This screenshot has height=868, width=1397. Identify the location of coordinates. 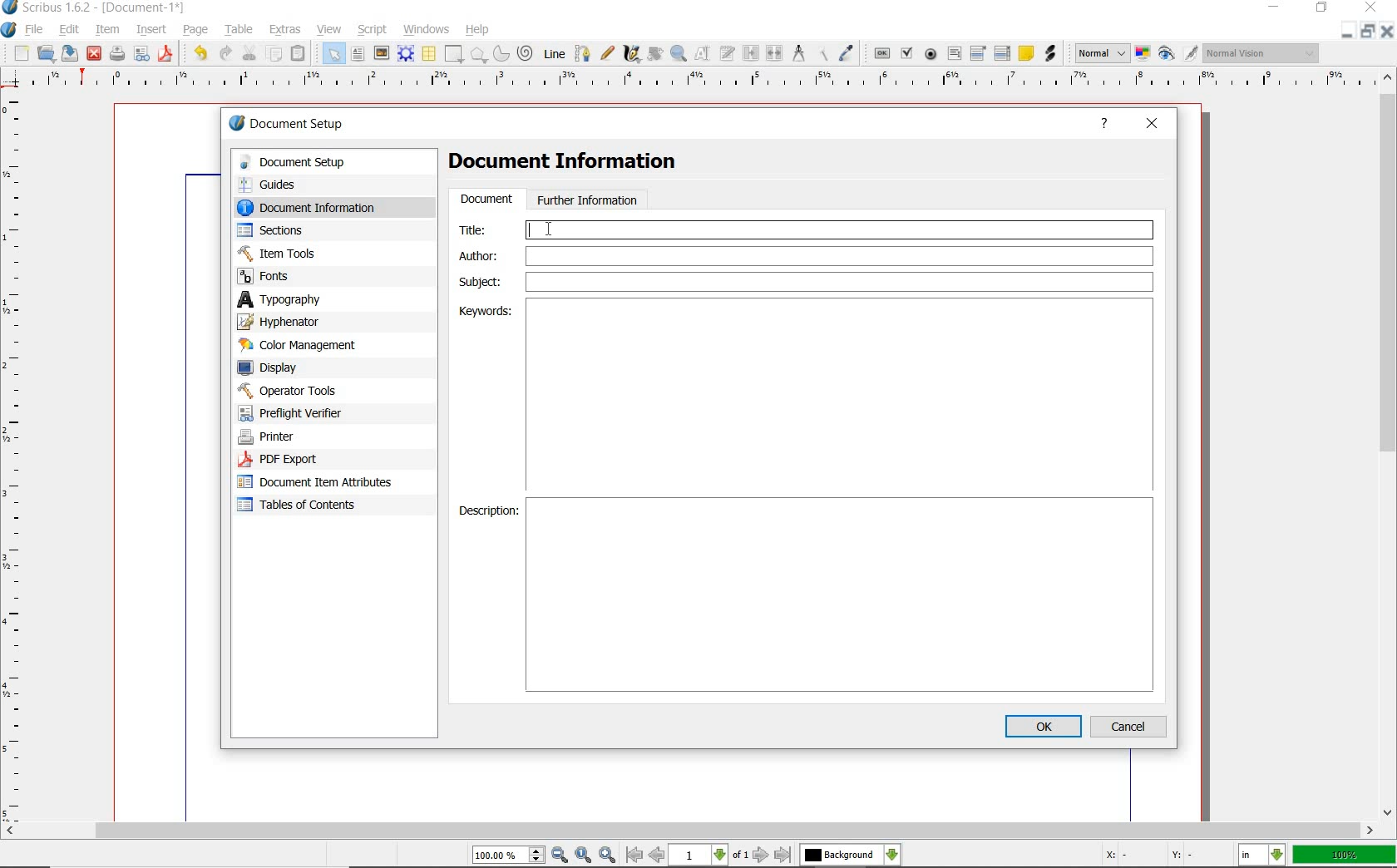
(1147, 856).